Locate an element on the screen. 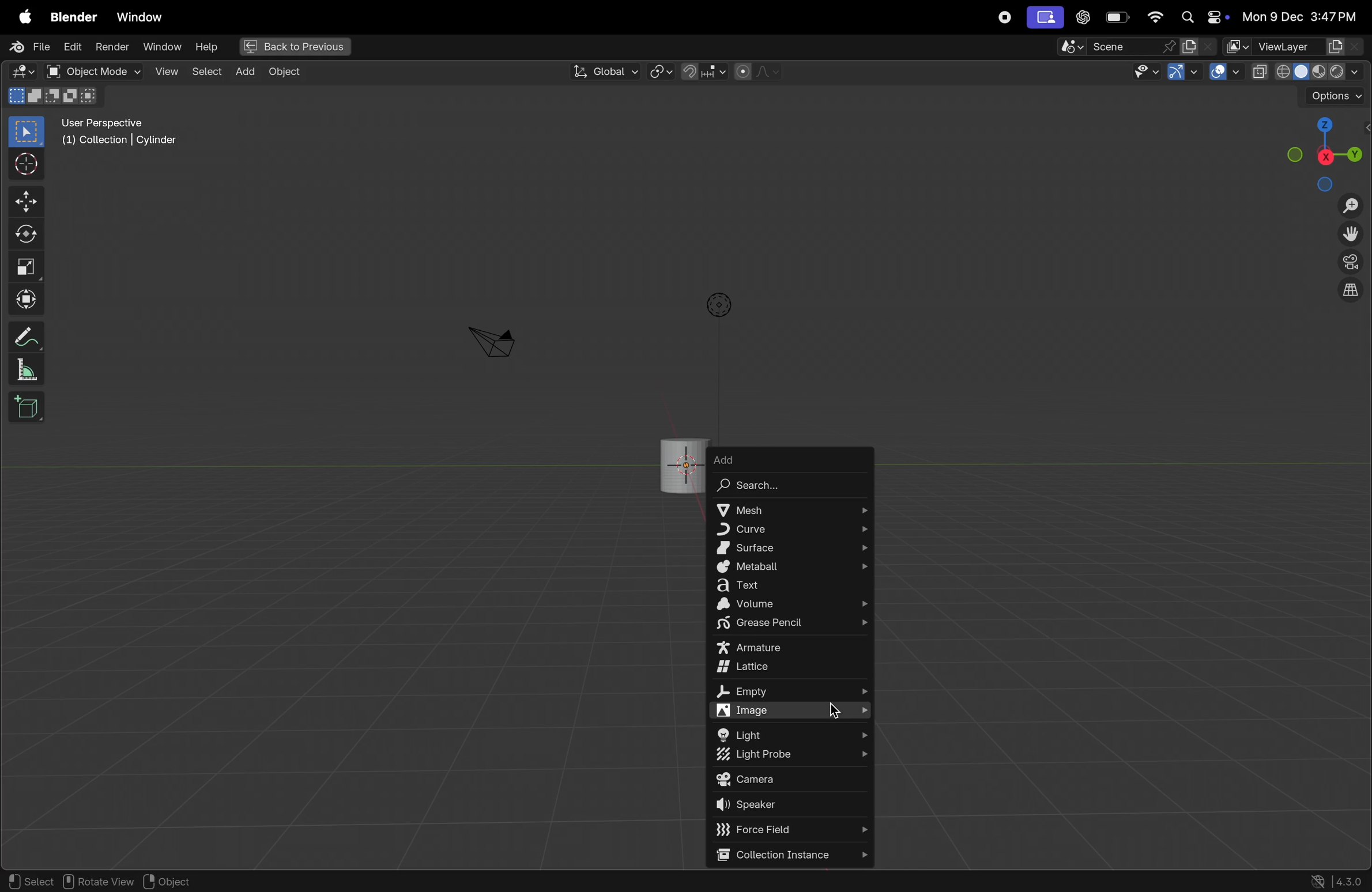 The height and width of the screenshot is (892, 1372). zoom in is located at coordinates (1350, 206).